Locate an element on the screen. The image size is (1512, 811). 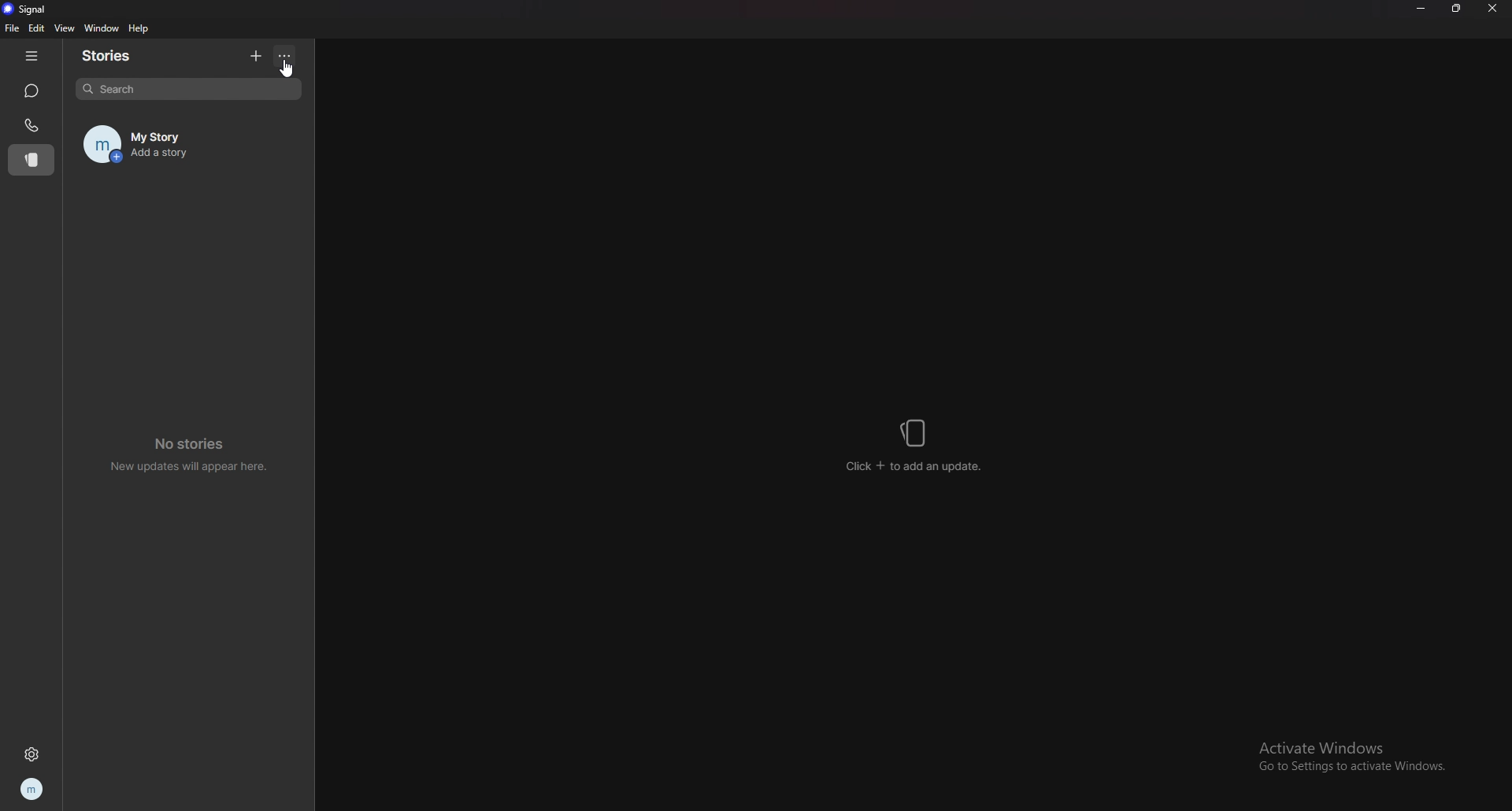
edit is located at coordinates (36, 28).